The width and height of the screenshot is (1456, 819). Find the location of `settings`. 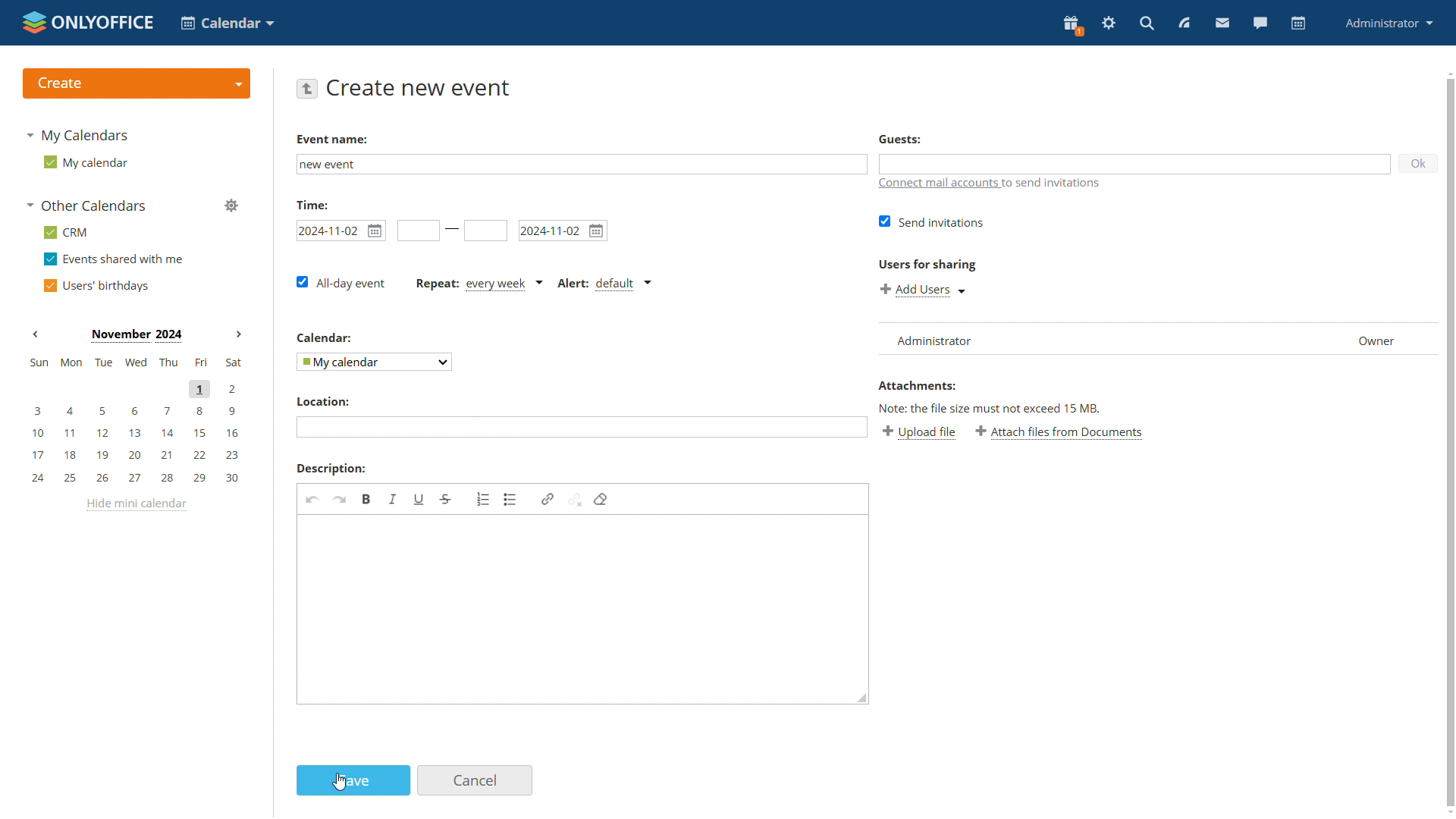

settings is located at coordinates (1109, 24).